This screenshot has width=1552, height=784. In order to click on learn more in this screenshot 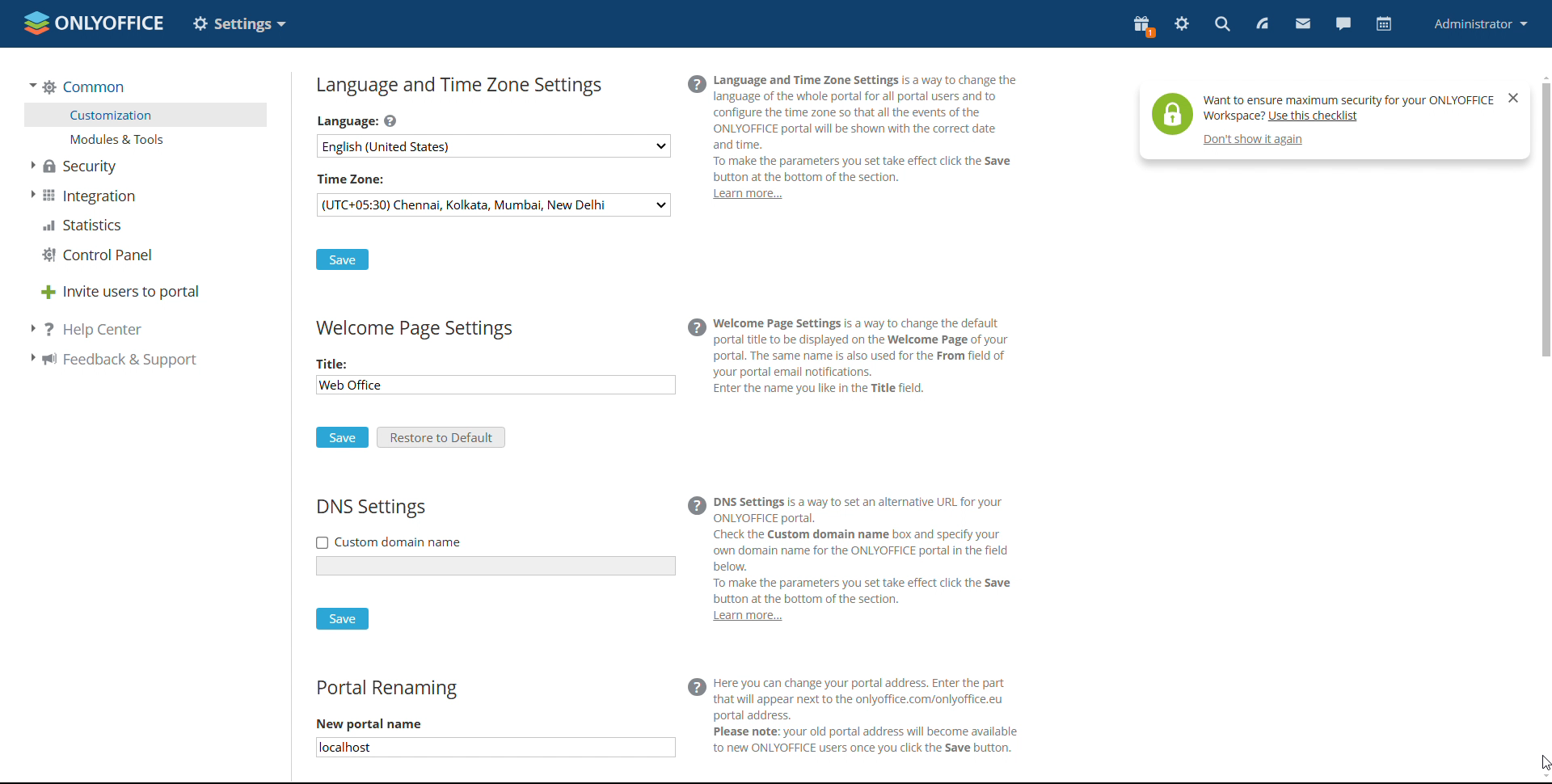, I will do `click(746, 196)`.